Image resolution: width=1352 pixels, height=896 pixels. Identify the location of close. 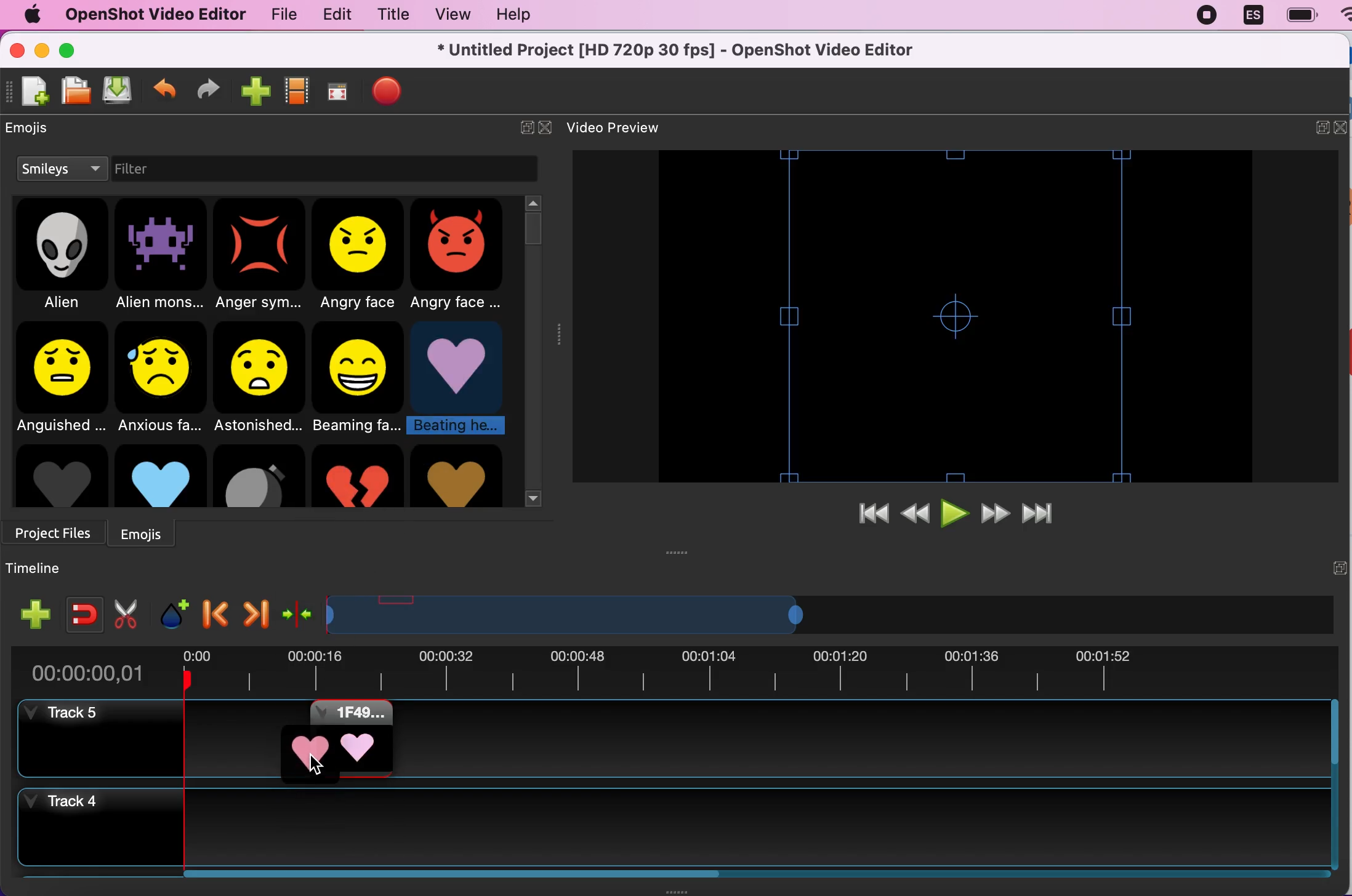
(549, 124).